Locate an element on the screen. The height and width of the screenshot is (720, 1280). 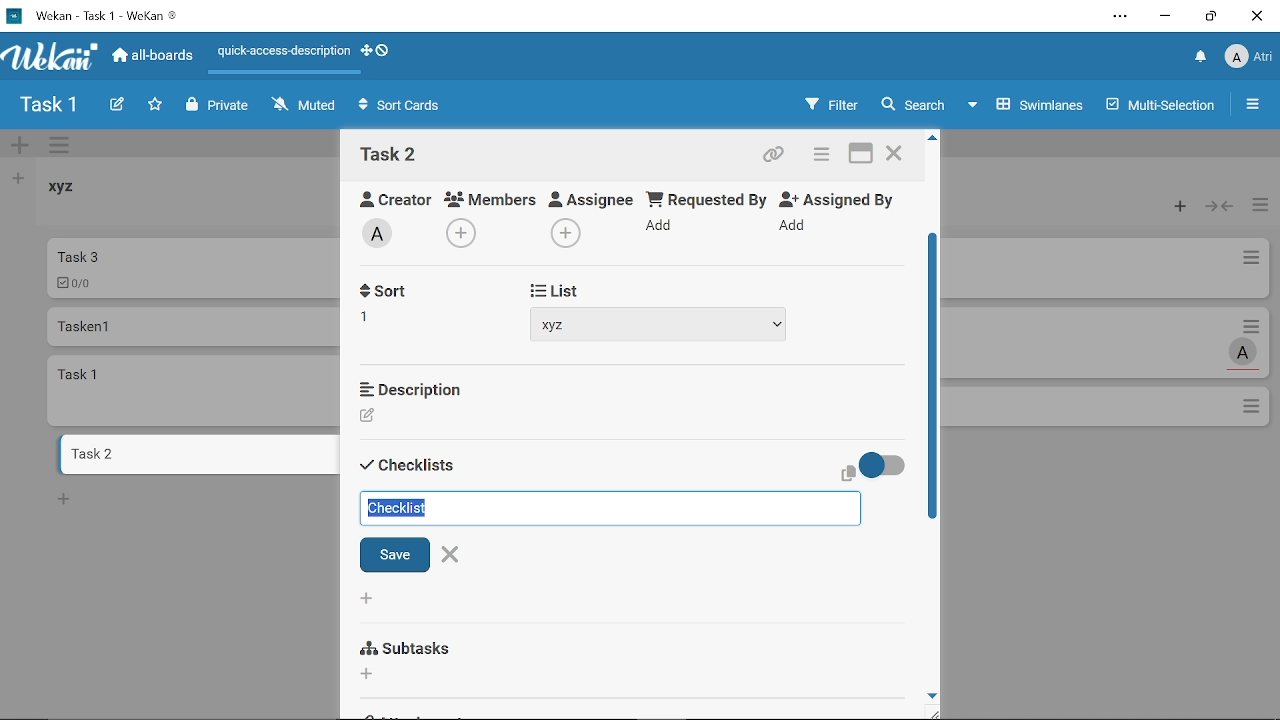
Collapse is located at coordinates (1221, 207).